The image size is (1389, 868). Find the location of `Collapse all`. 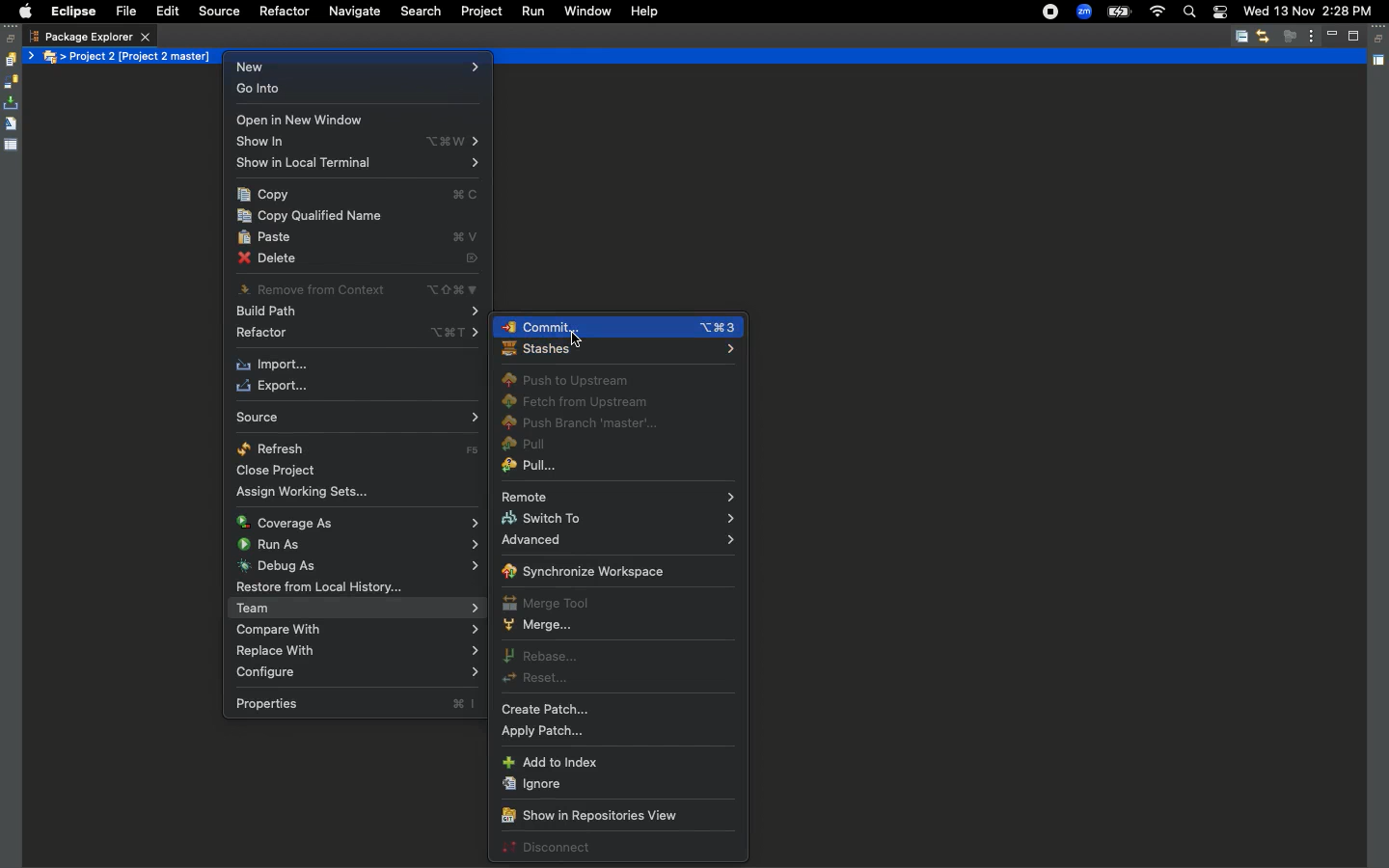

Collapse all is located at coordinates (1241, 38).